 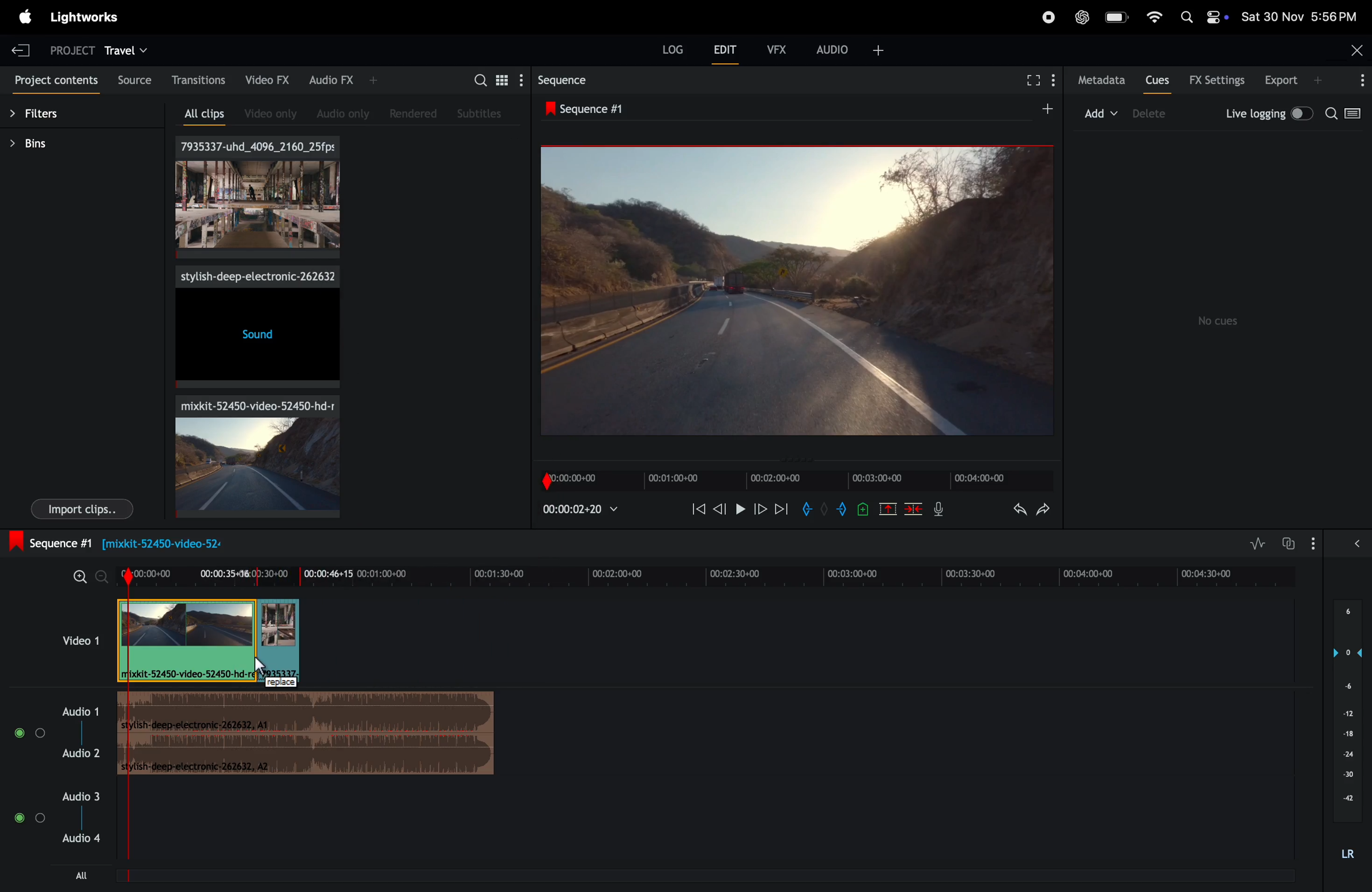 What do you see at coordinates (1266, 112) in the screenshot?
I see `live logging` at bounding box center [1266, 112].